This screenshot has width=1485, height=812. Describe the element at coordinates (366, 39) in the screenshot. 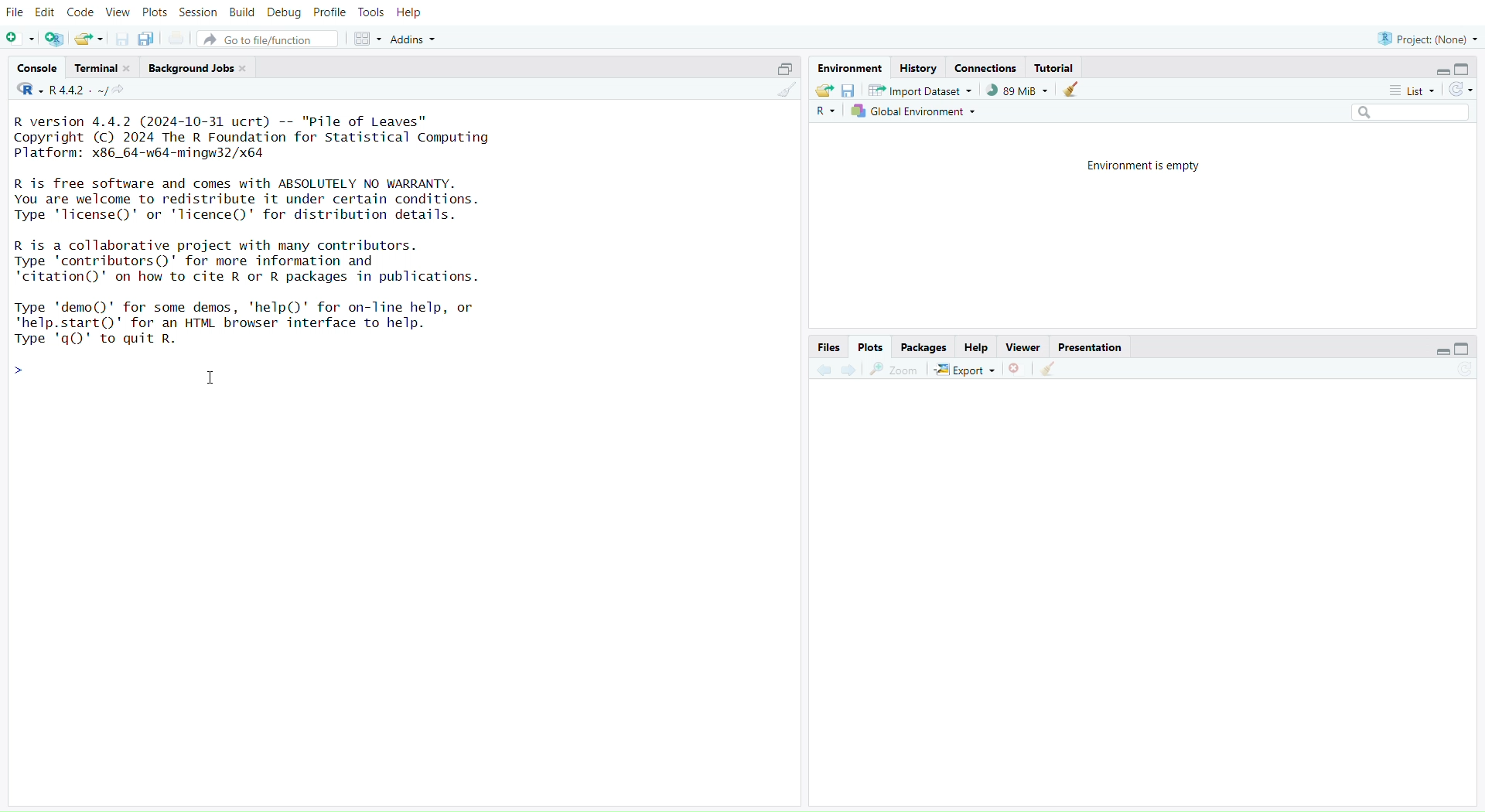

I see `Workspace panes` at that location.